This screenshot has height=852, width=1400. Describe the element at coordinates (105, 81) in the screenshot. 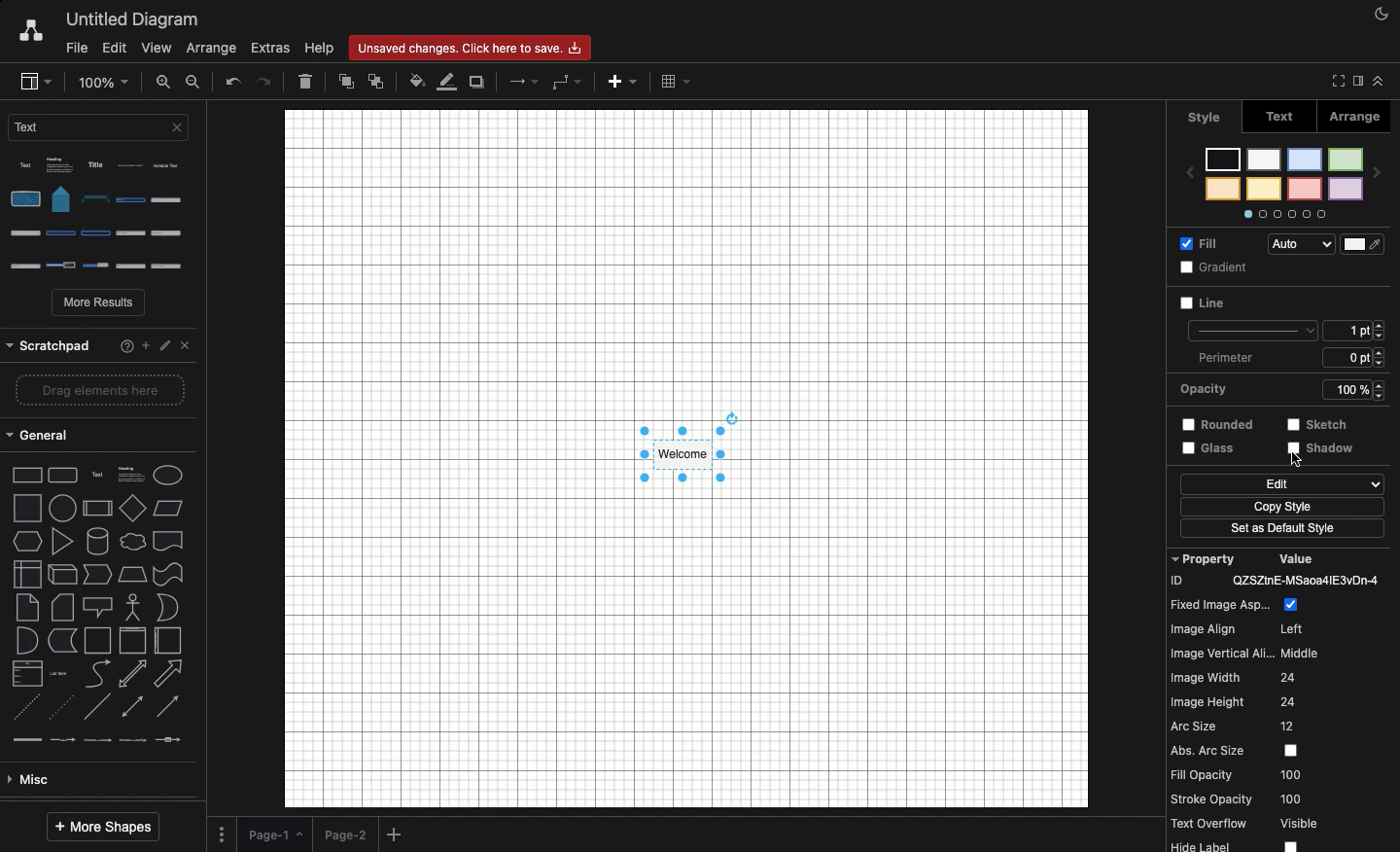

I see `Zoom` at that location.